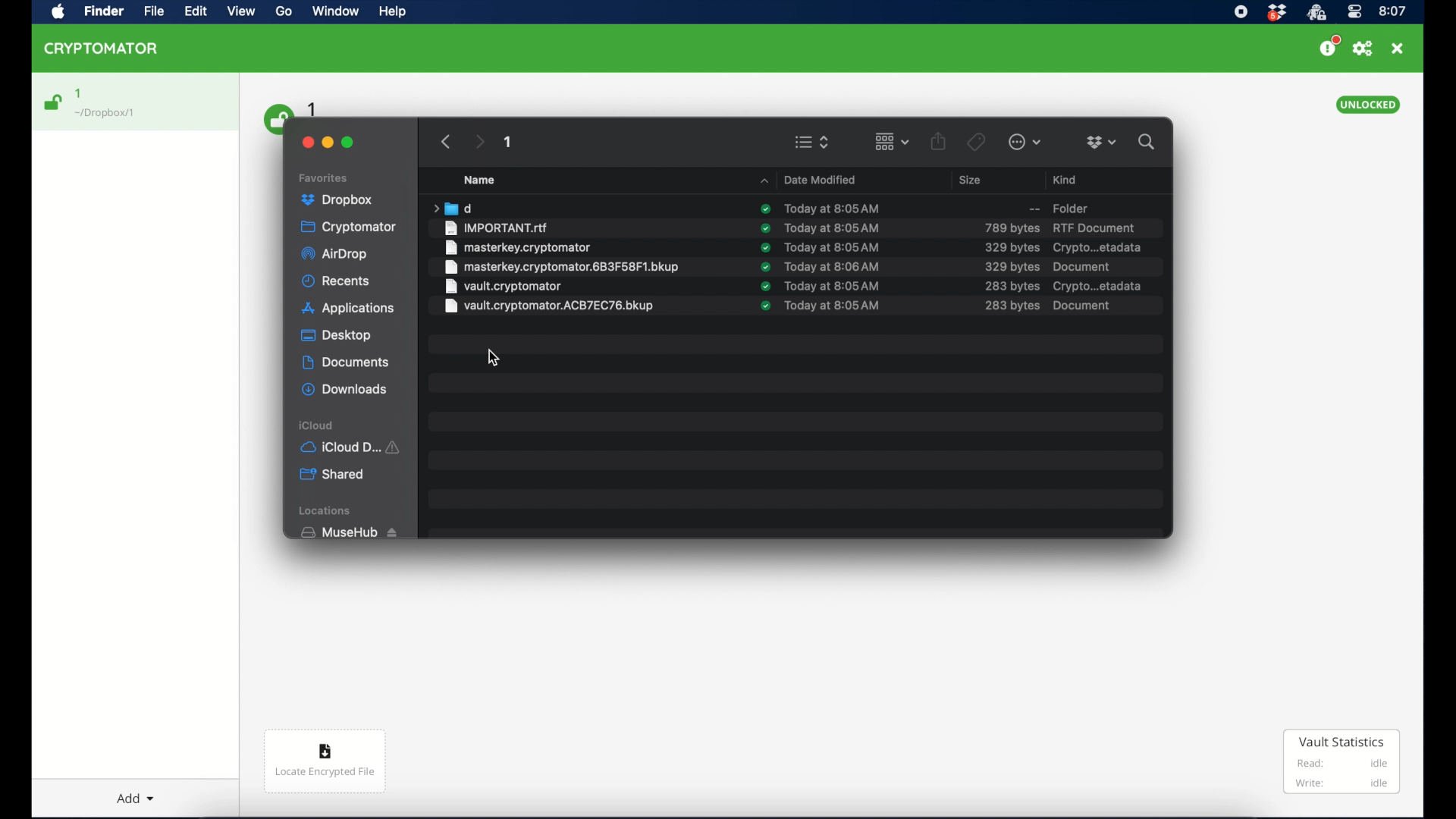  Describe the element at coordinates (975, 141) in the screenshot. I see `tags` at that location.